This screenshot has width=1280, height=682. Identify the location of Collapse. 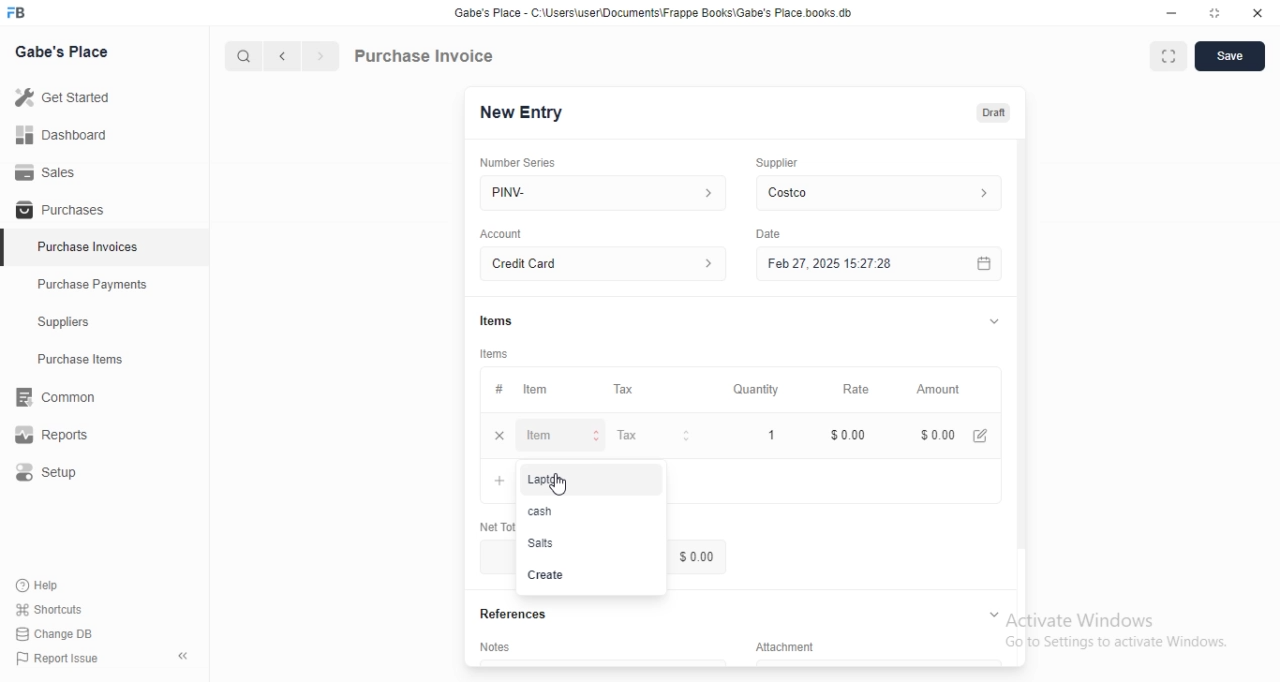
(994, 614).